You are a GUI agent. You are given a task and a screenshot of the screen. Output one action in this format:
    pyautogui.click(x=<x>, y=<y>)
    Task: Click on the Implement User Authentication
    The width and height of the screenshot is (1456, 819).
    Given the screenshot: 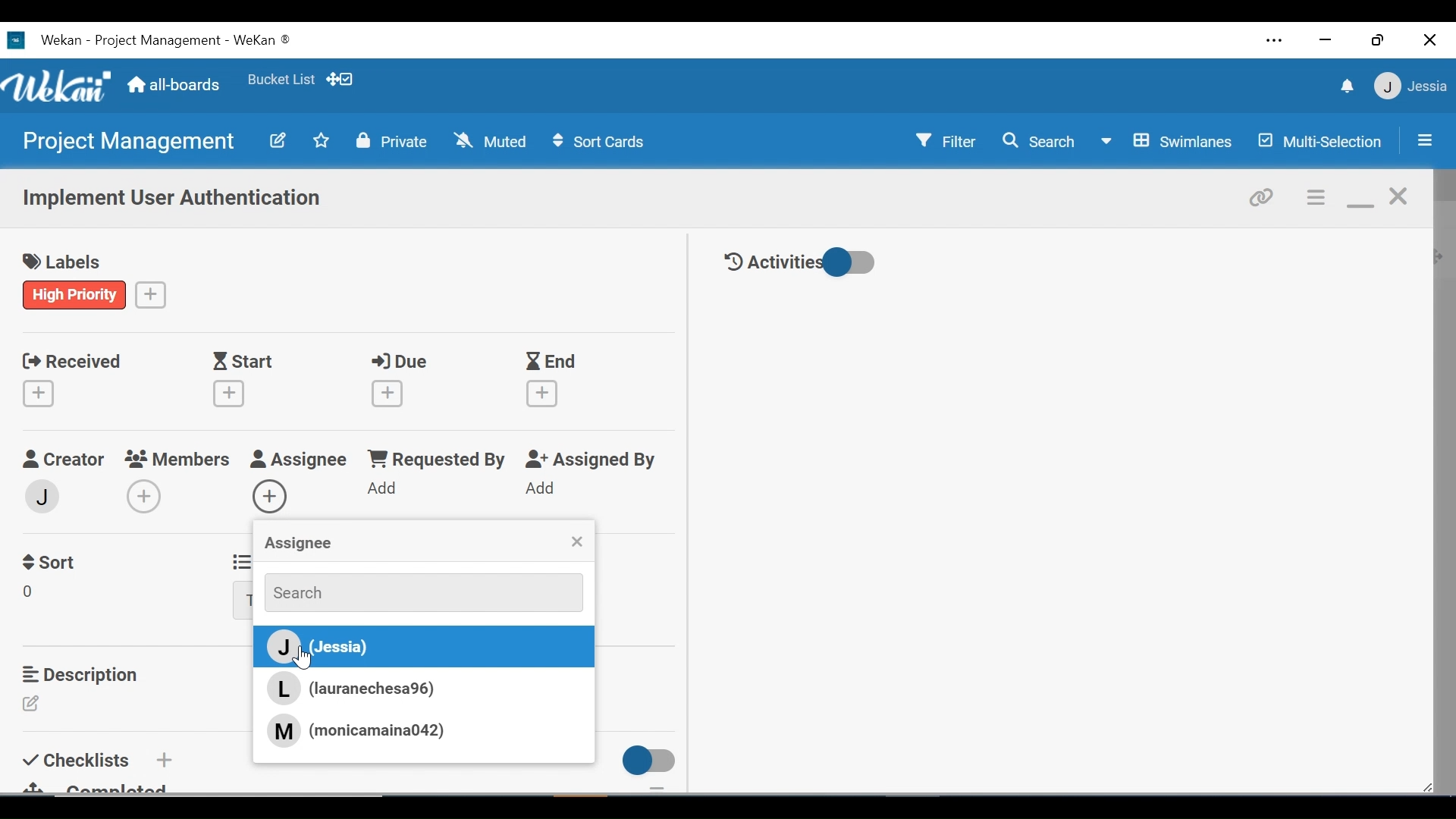 What is the action you would take?
    pyautogui.click(x=174, y=199)
    